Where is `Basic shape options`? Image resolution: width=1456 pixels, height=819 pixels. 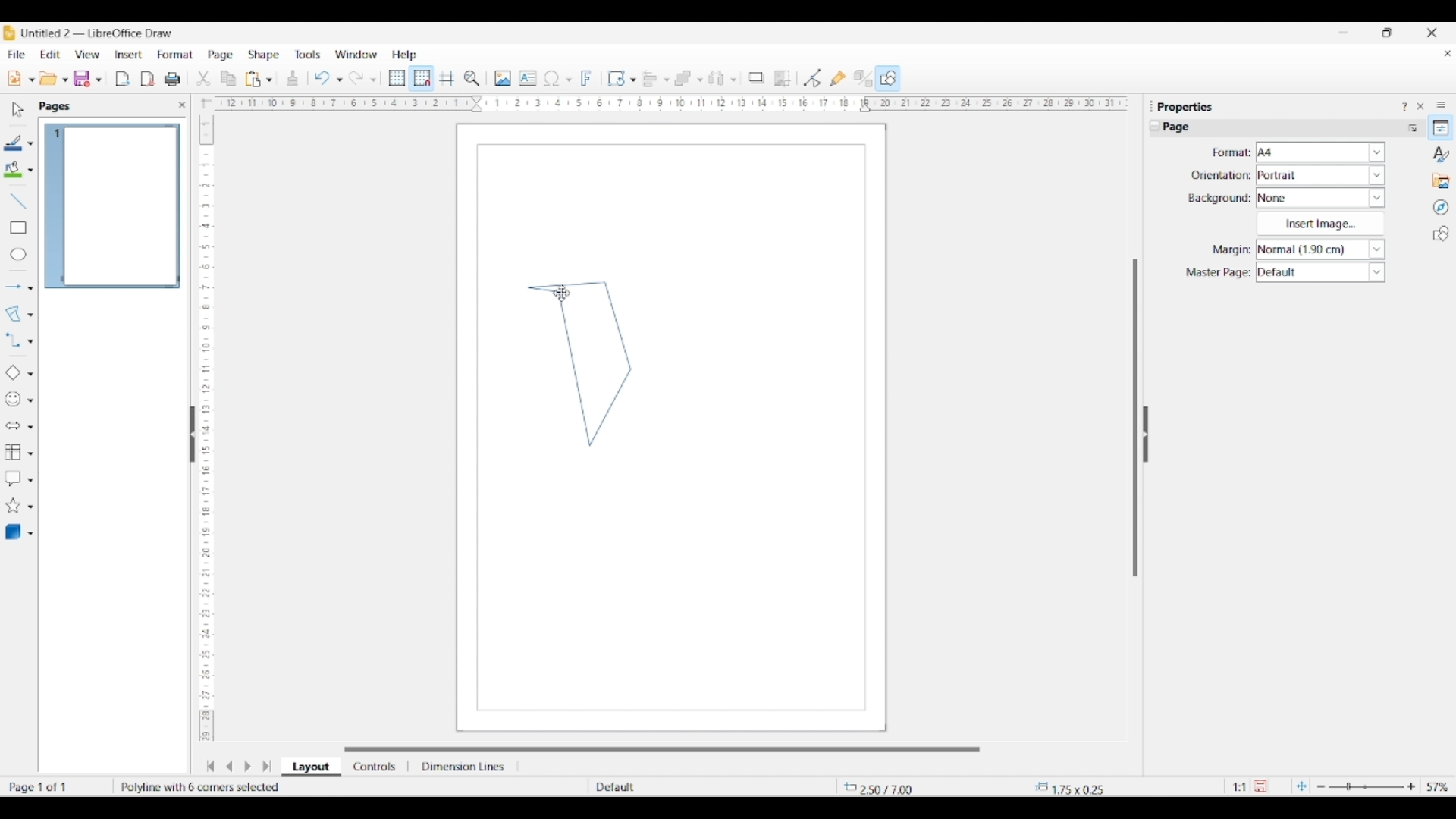 Basic shape options is located at coordinates (30, 374).